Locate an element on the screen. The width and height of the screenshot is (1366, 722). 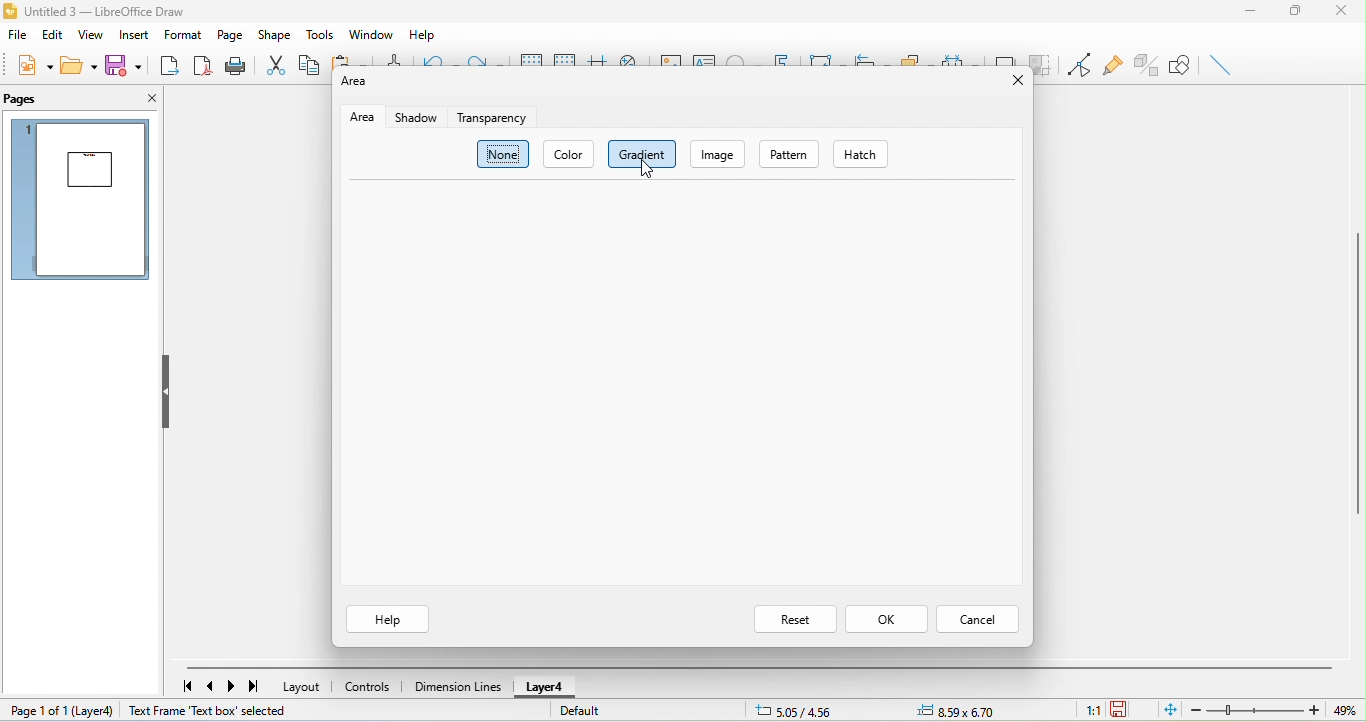
cursor position-5.05/4.56 is located at coordinates (794, 712).